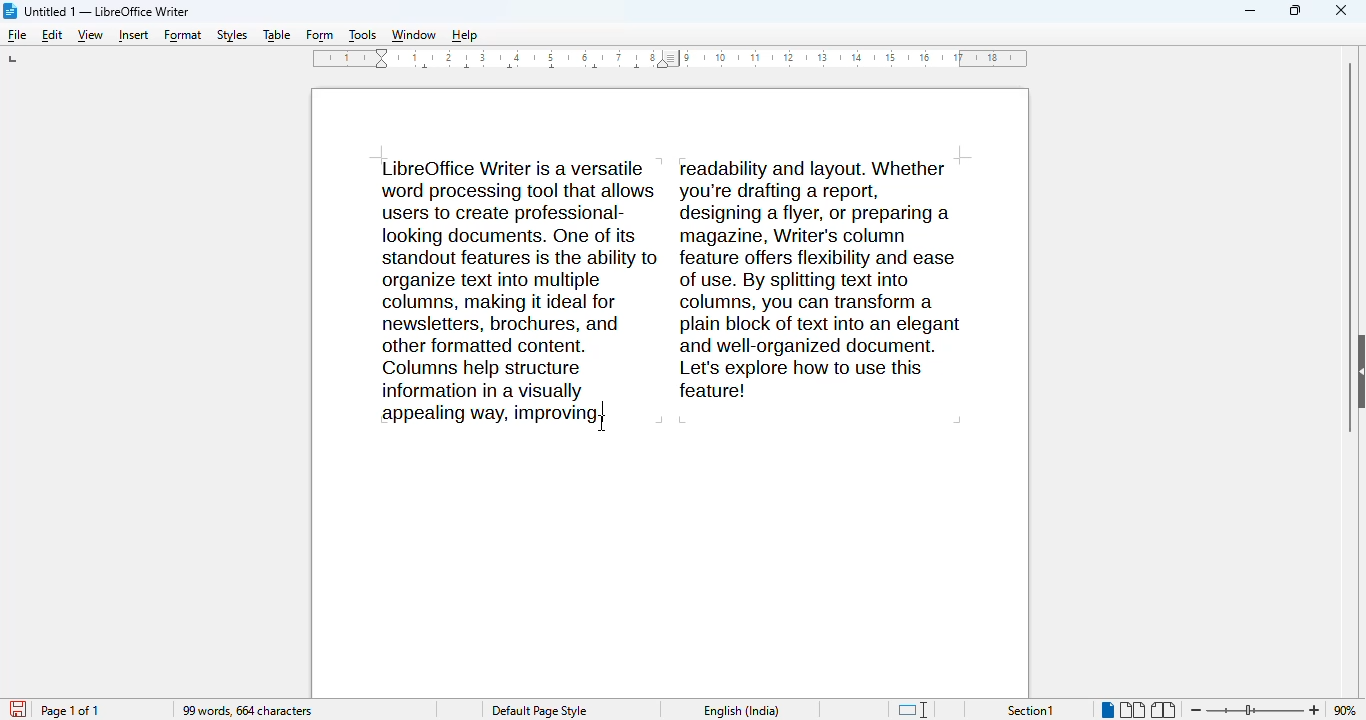 Image resolution: width=1366 pixels, height=720 pixels. Describe the element at coordinates (513, 71) in the screenshot. I see `center tab` at that location.